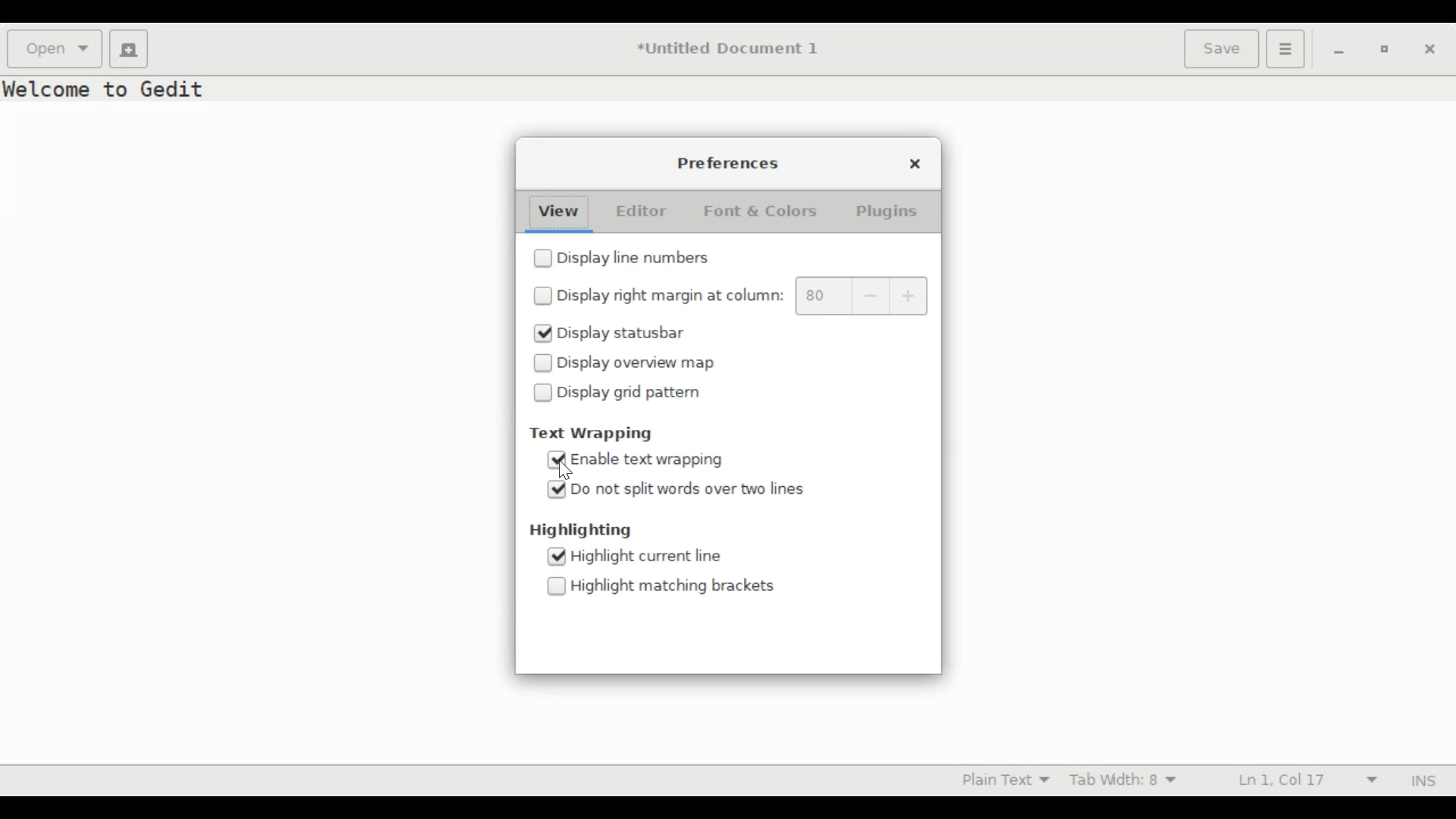  What do you see at coordinates (728, 50) in the screenshot?
I see `*Untitled Document 1` at bounding box center [728, 50].